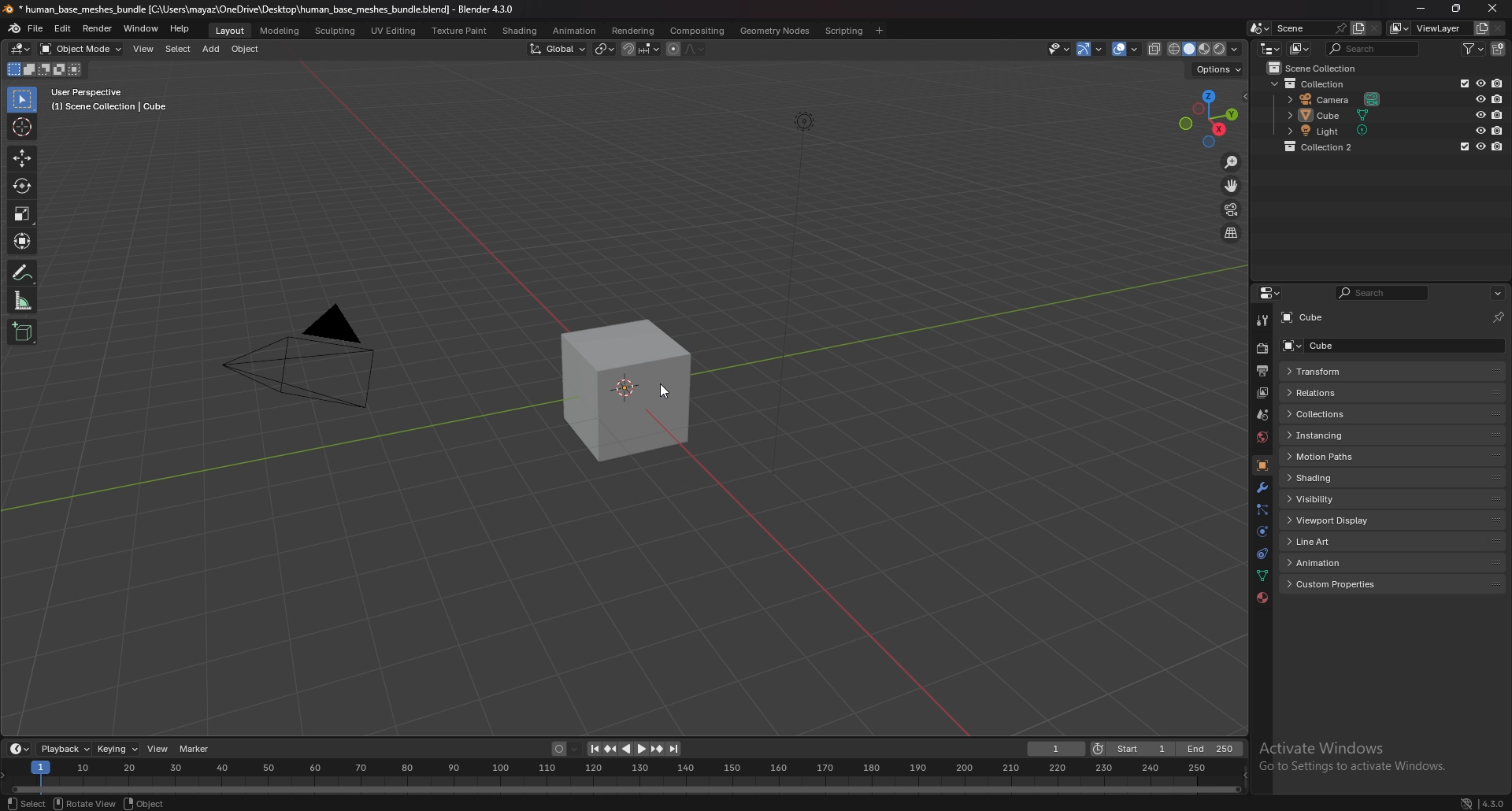 This screenshot has height=811, width=1512. Describe the element at coordinates (1131, 749) in the screenshot. I see `start` at that location.